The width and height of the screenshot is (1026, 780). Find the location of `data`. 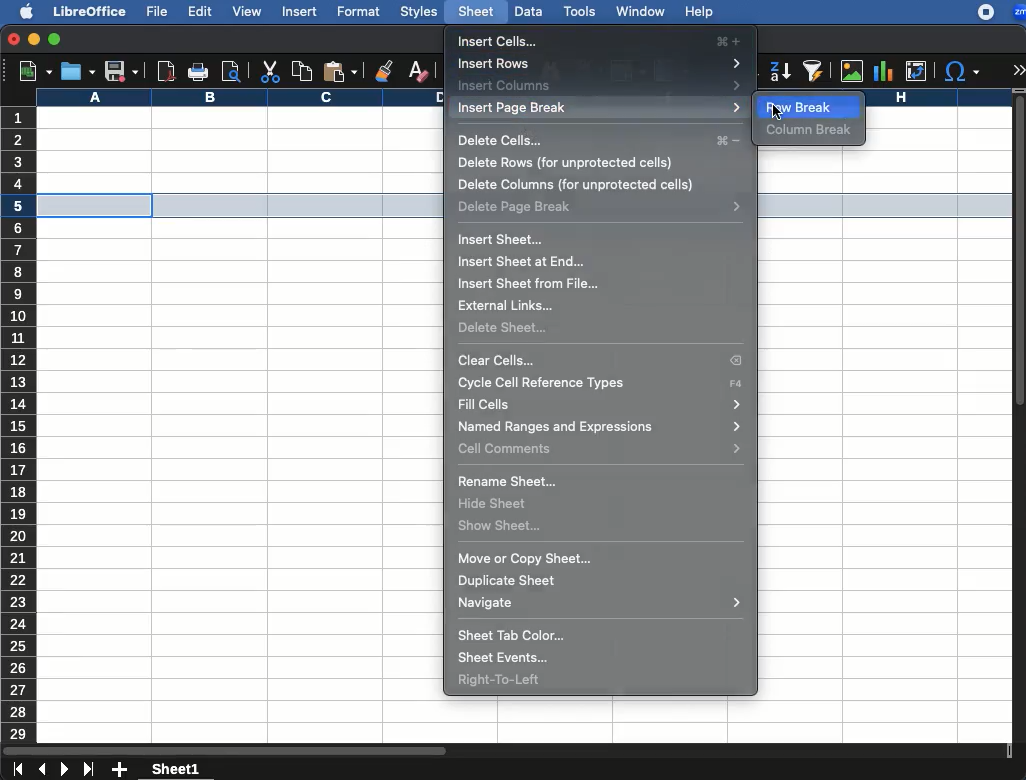

data is located at coordinates (528, 11).